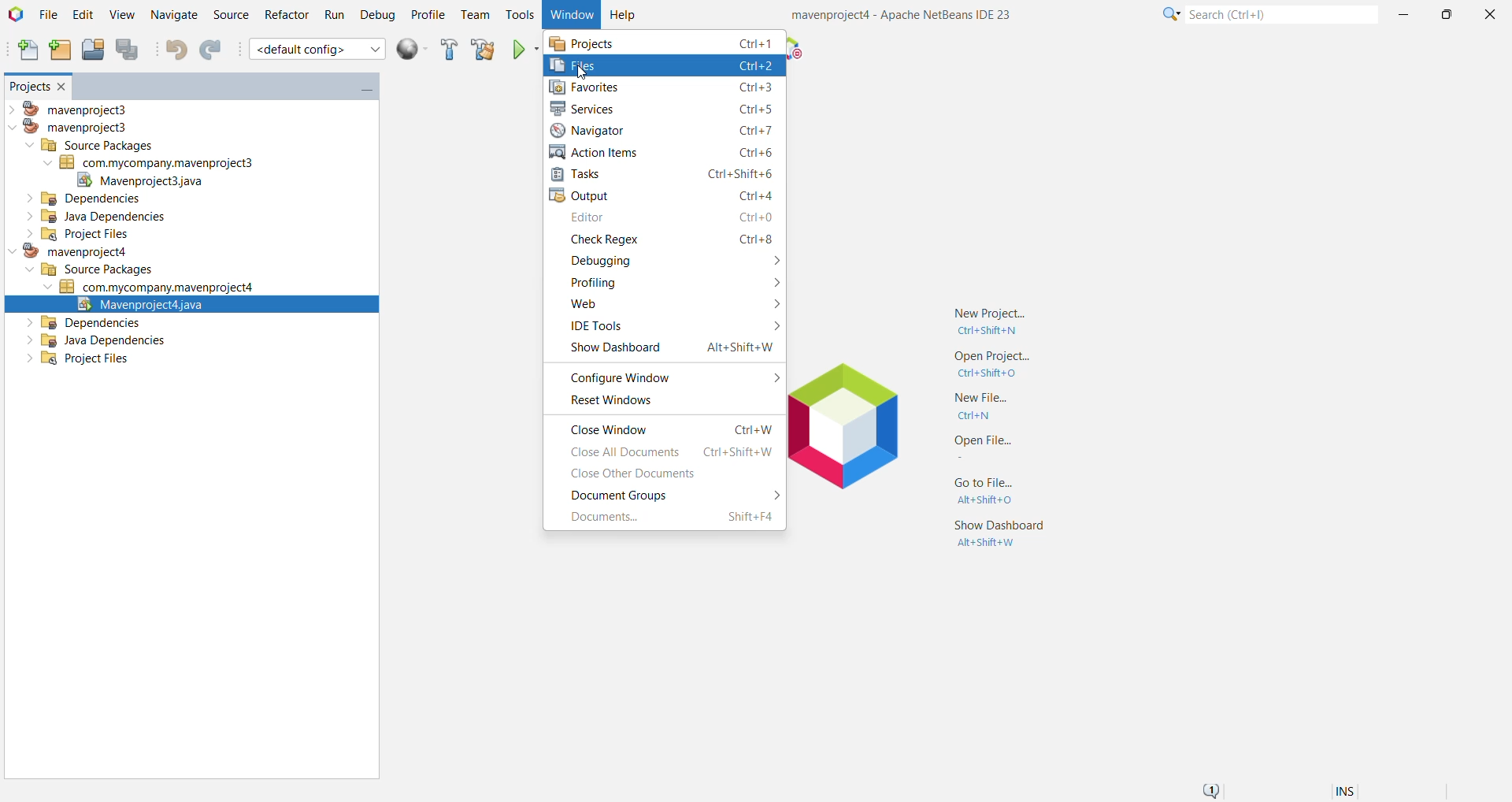 This screenshot has height=802, width=1512. Describe the element at coordinates (1446, 15) in the screenshot. I see `Maximize` at that location.